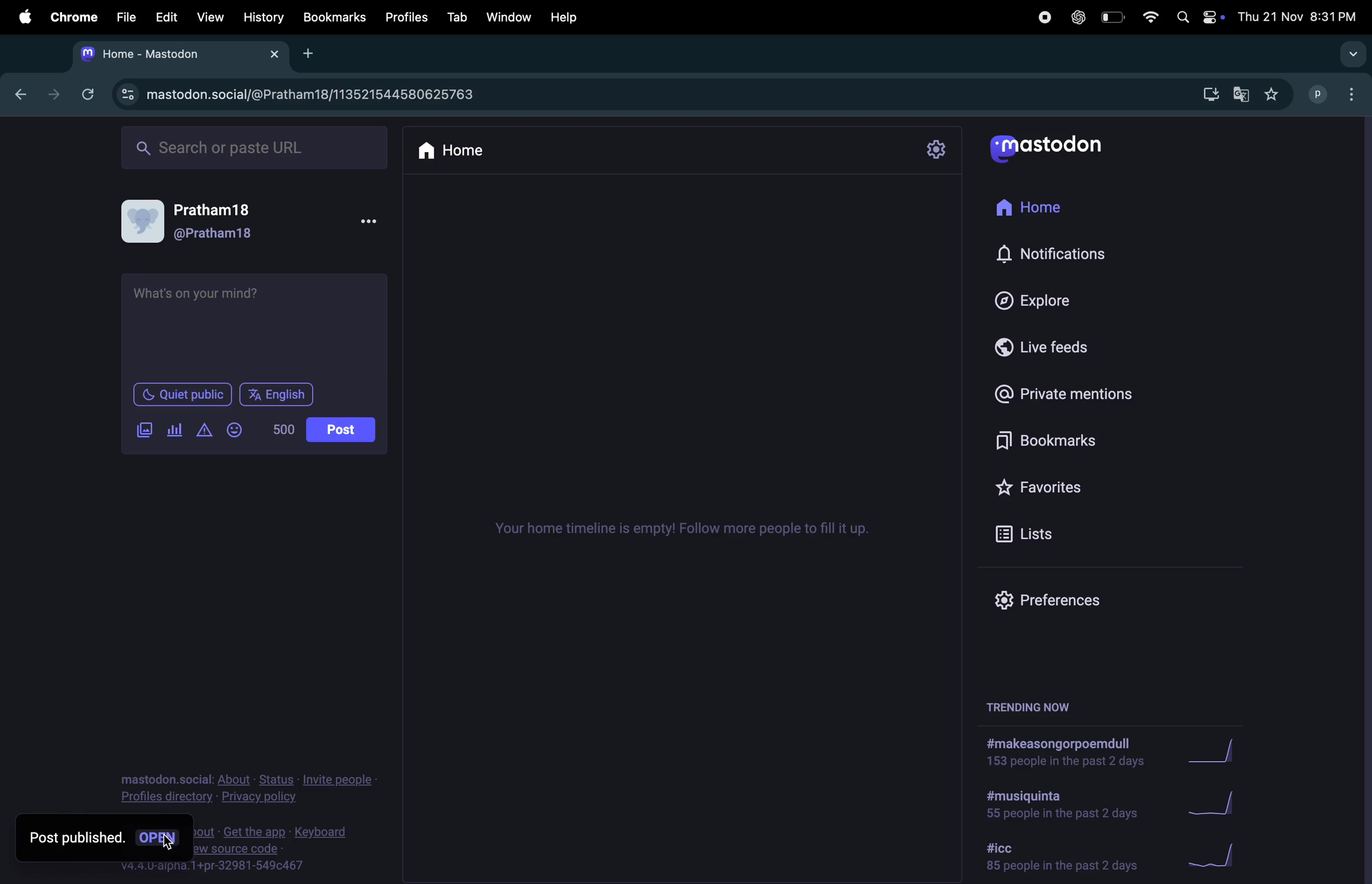 The image size is (1372, 884). Describe the element at coordinates (1054, 538) in the screenshot. I see `list` at that location.